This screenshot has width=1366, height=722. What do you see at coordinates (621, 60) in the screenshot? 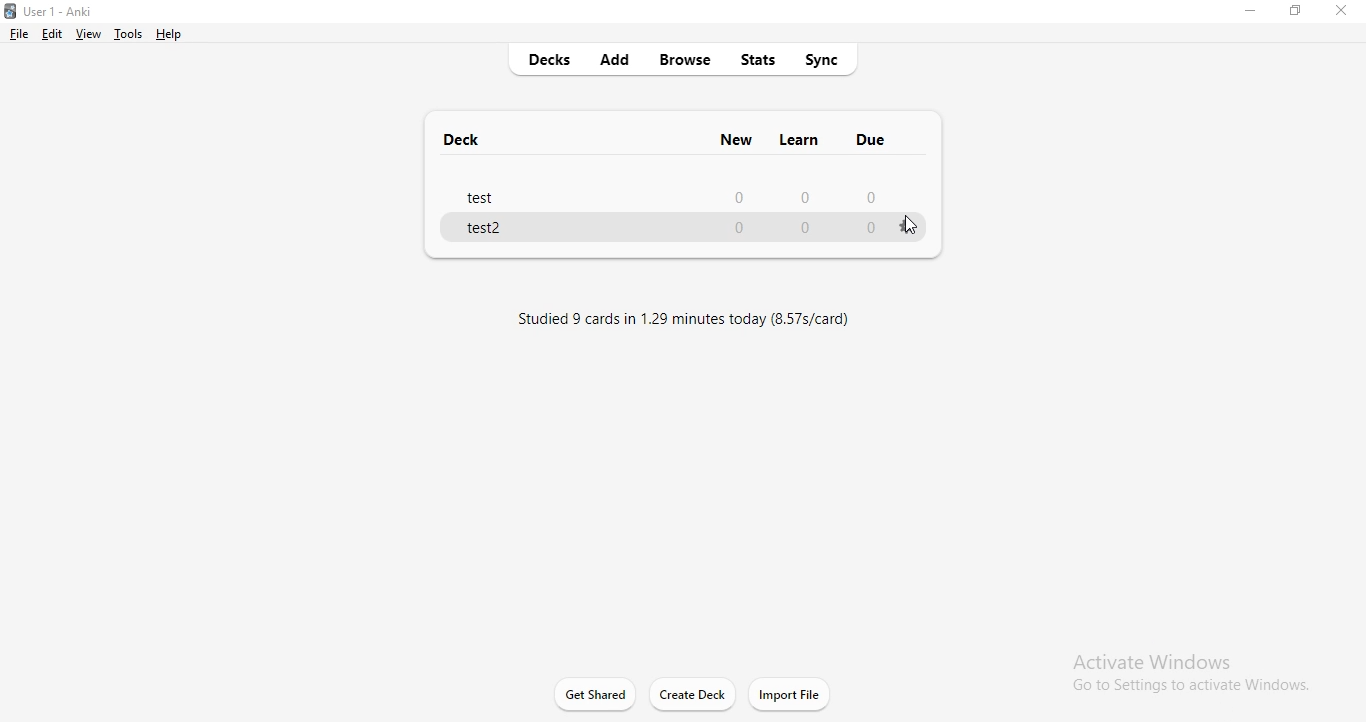
I see `add` at bounding box center [621, 60].